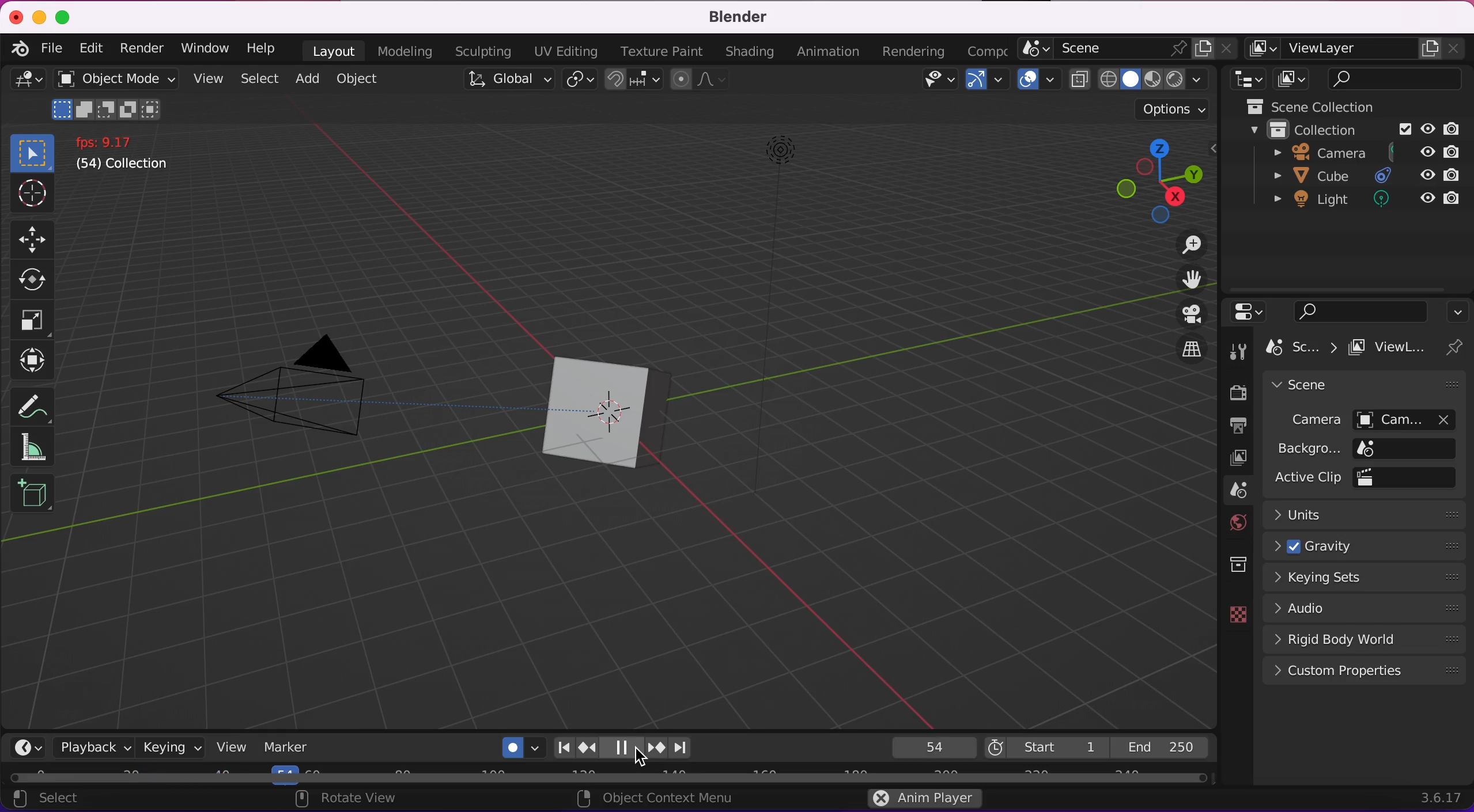 The width and height of the screenshot is (1474, 812). Describe the element at coordinates (830, 52) in the screenshot. I see `animation` at that location.